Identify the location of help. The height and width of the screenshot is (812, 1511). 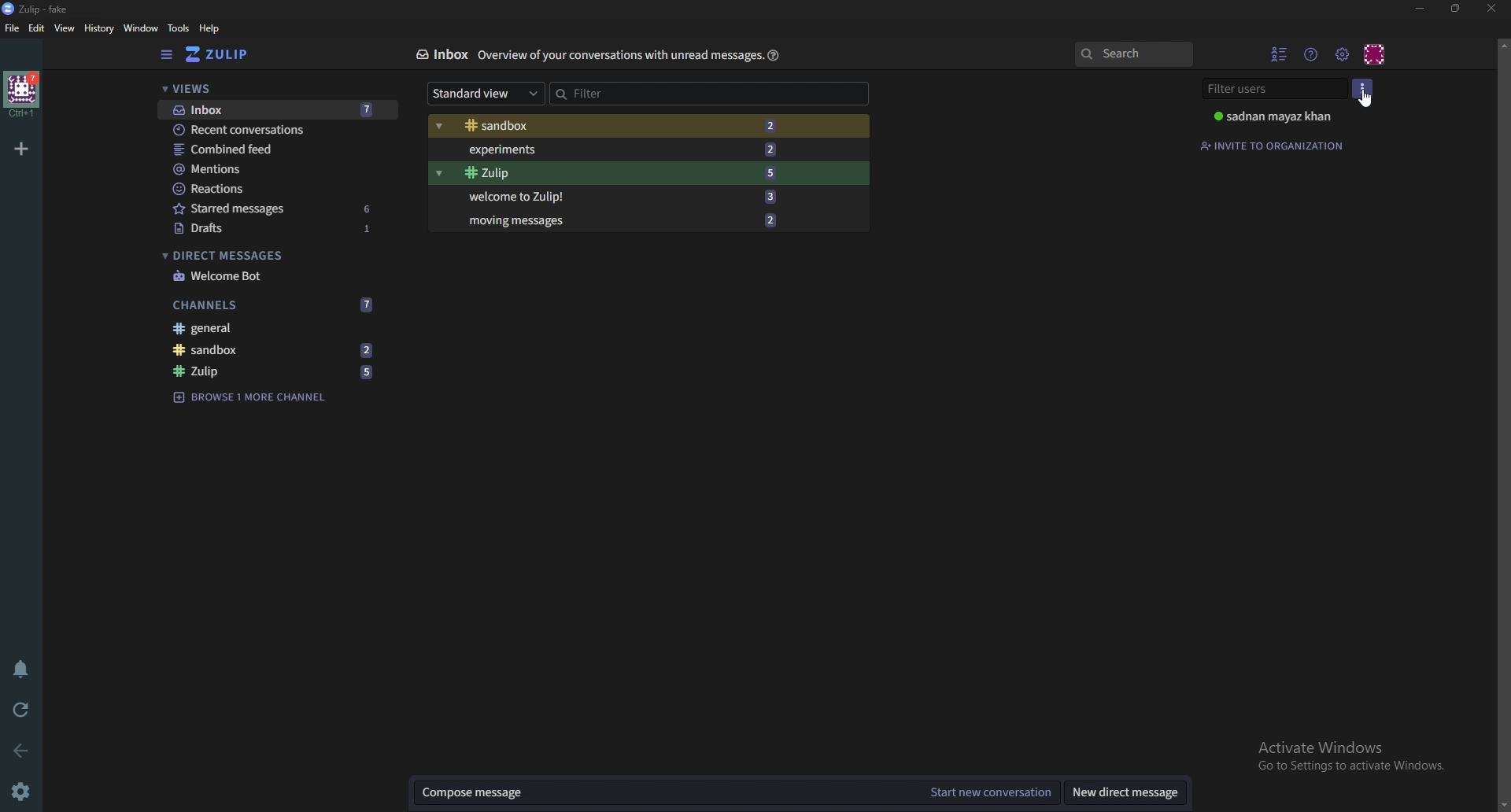
(211, 28).